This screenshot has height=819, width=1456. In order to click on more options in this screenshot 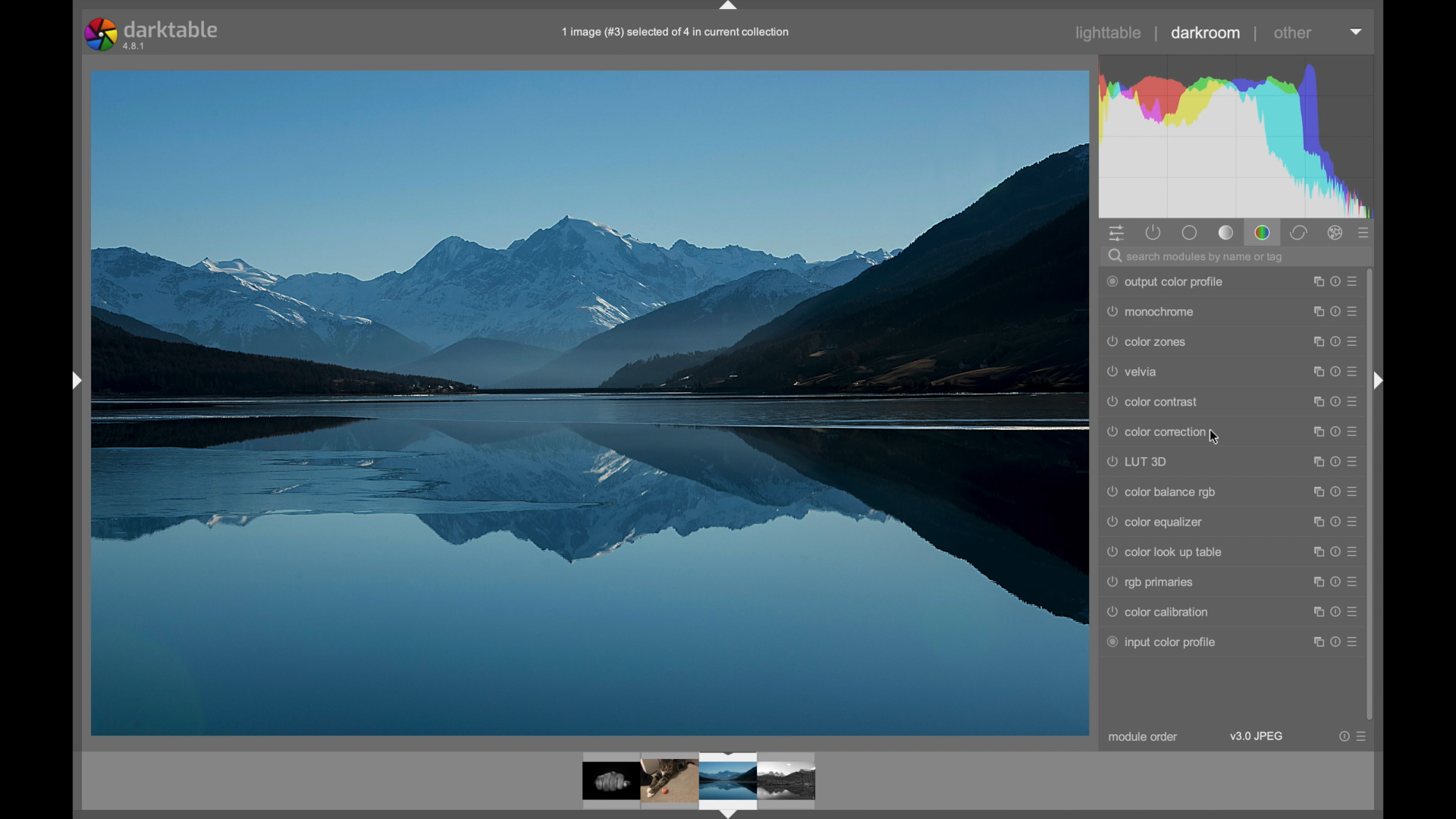, I will do `click(1336, 582)`.